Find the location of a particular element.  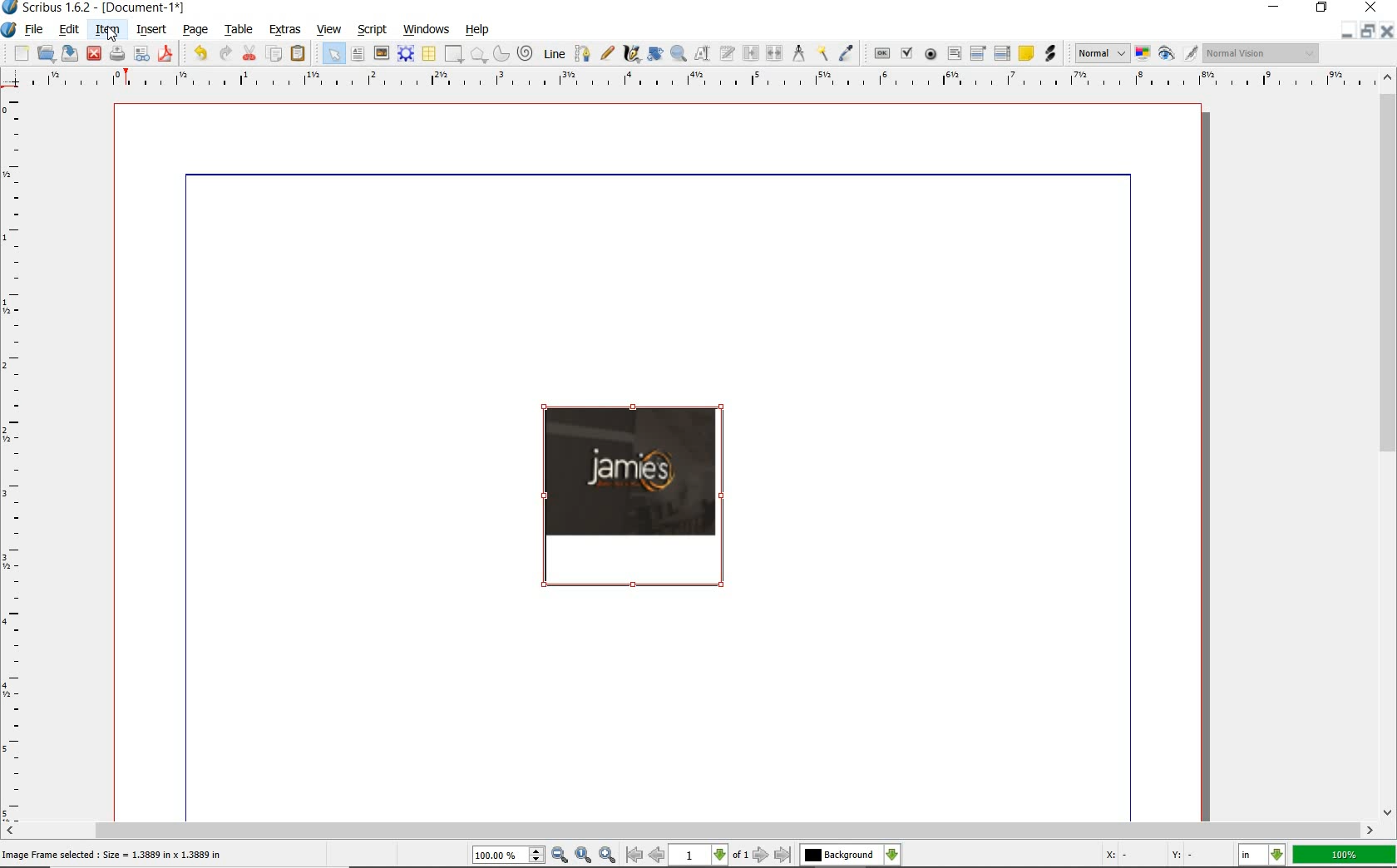

scrollbar is located at coordinates (691, 830).